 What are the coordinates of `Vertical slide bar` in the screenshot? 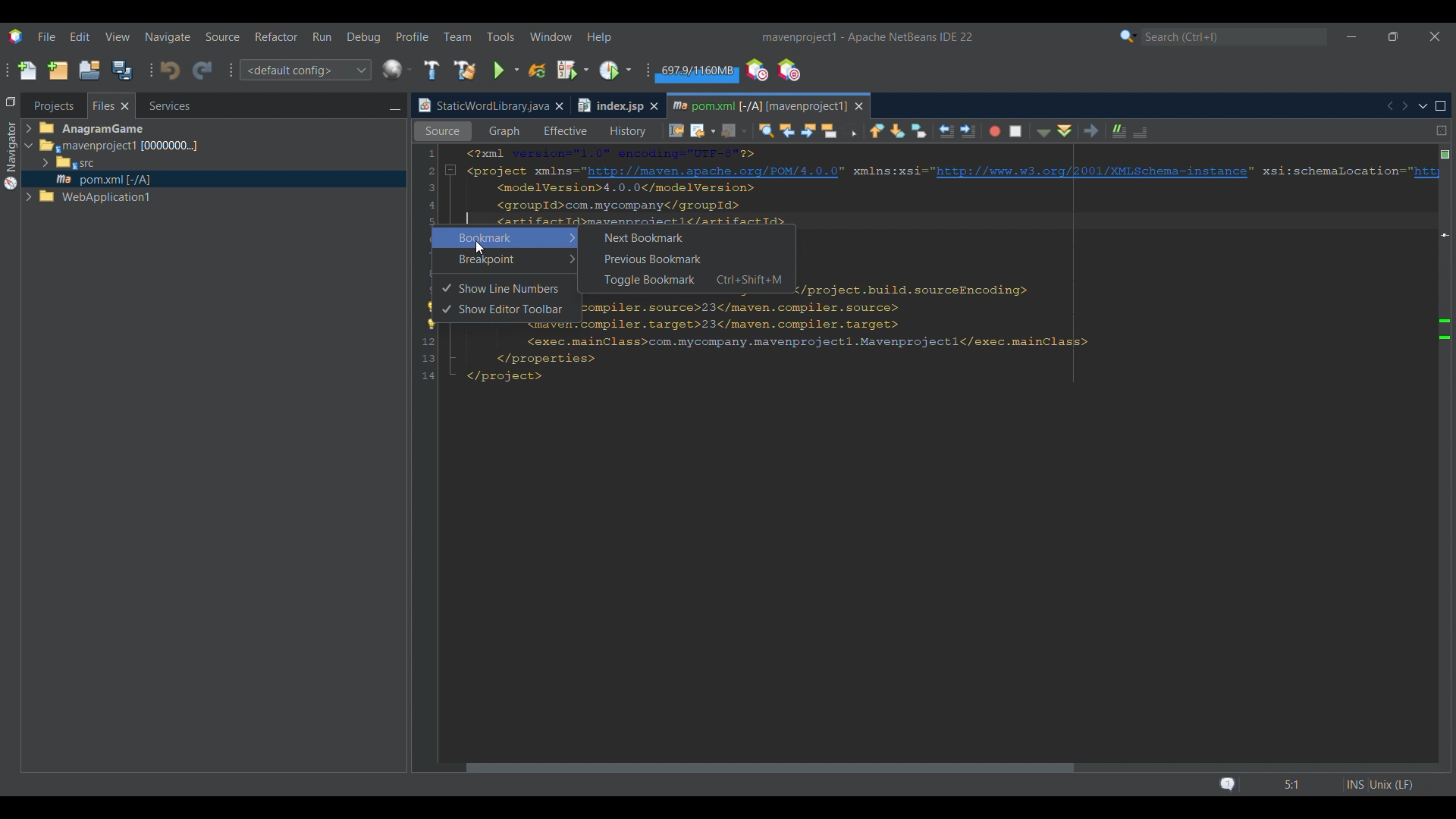 It's located at (1436, 461).